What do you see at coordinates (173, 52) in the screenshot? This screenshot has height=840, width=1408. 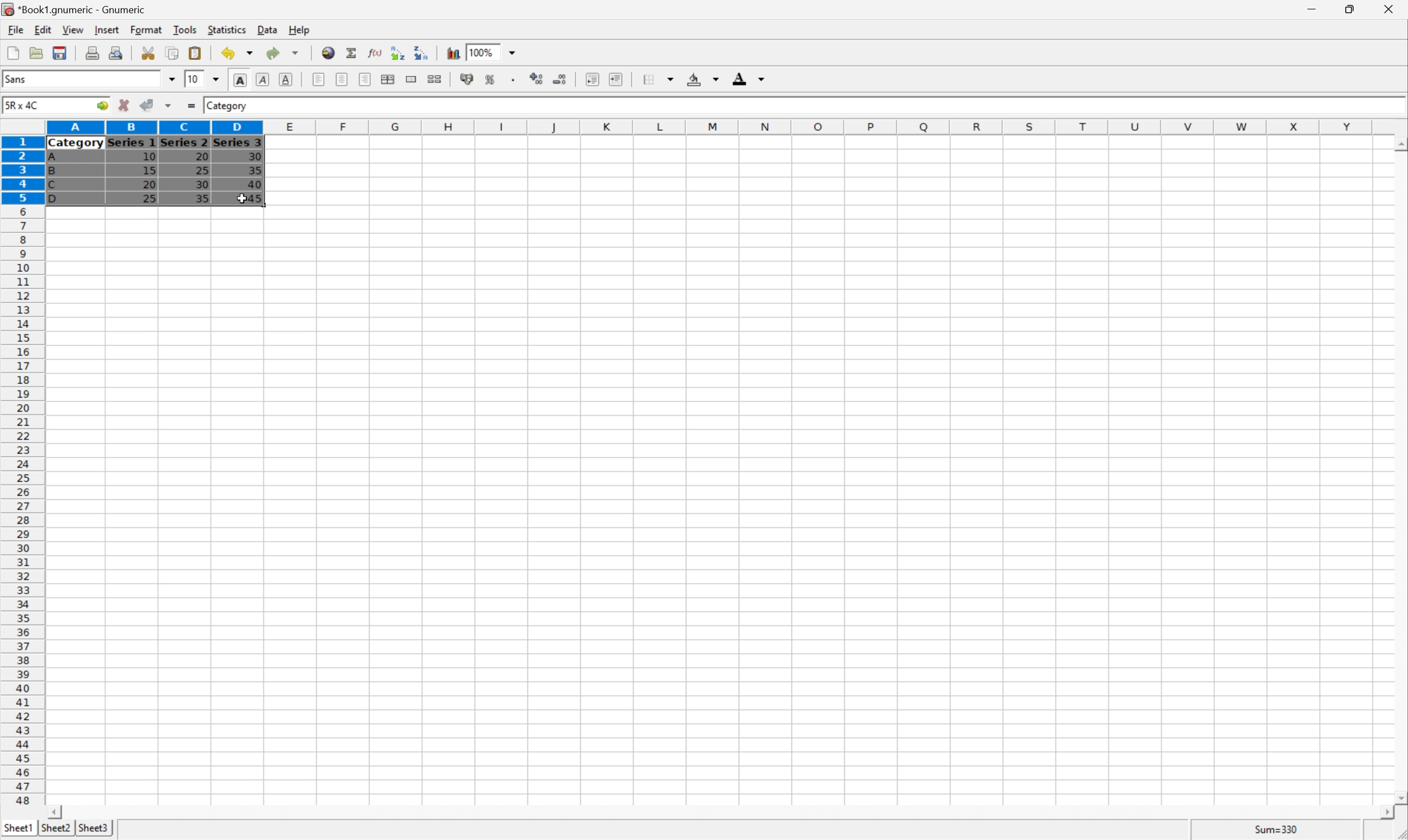 I see `Copy selection` at bounding box center [173, 52].